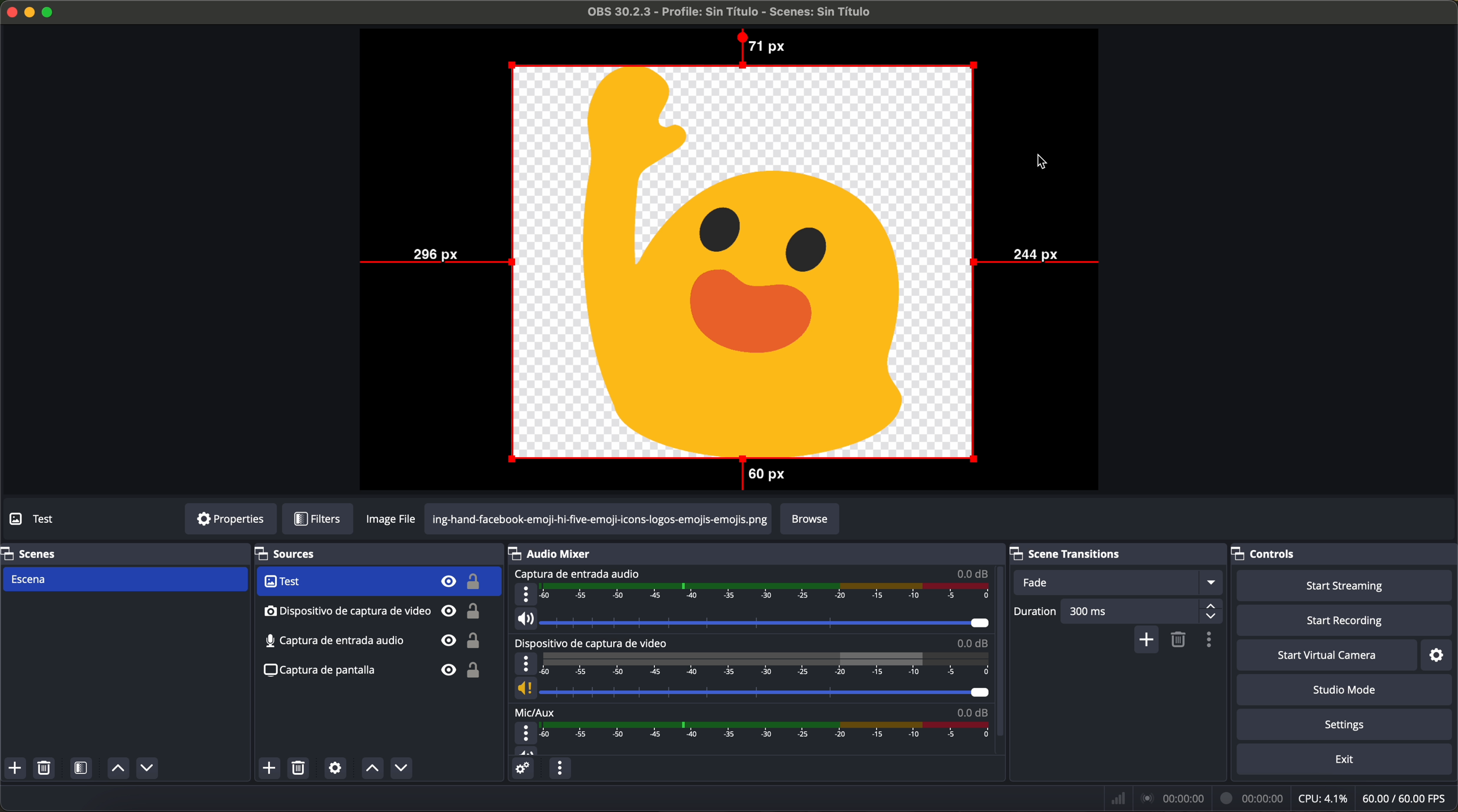 The width and height of the screenshot is (1458, 812). What do you see at coordinates (598, 518) in the screenshot?
I see `png url` at bounding box center [598, 518].